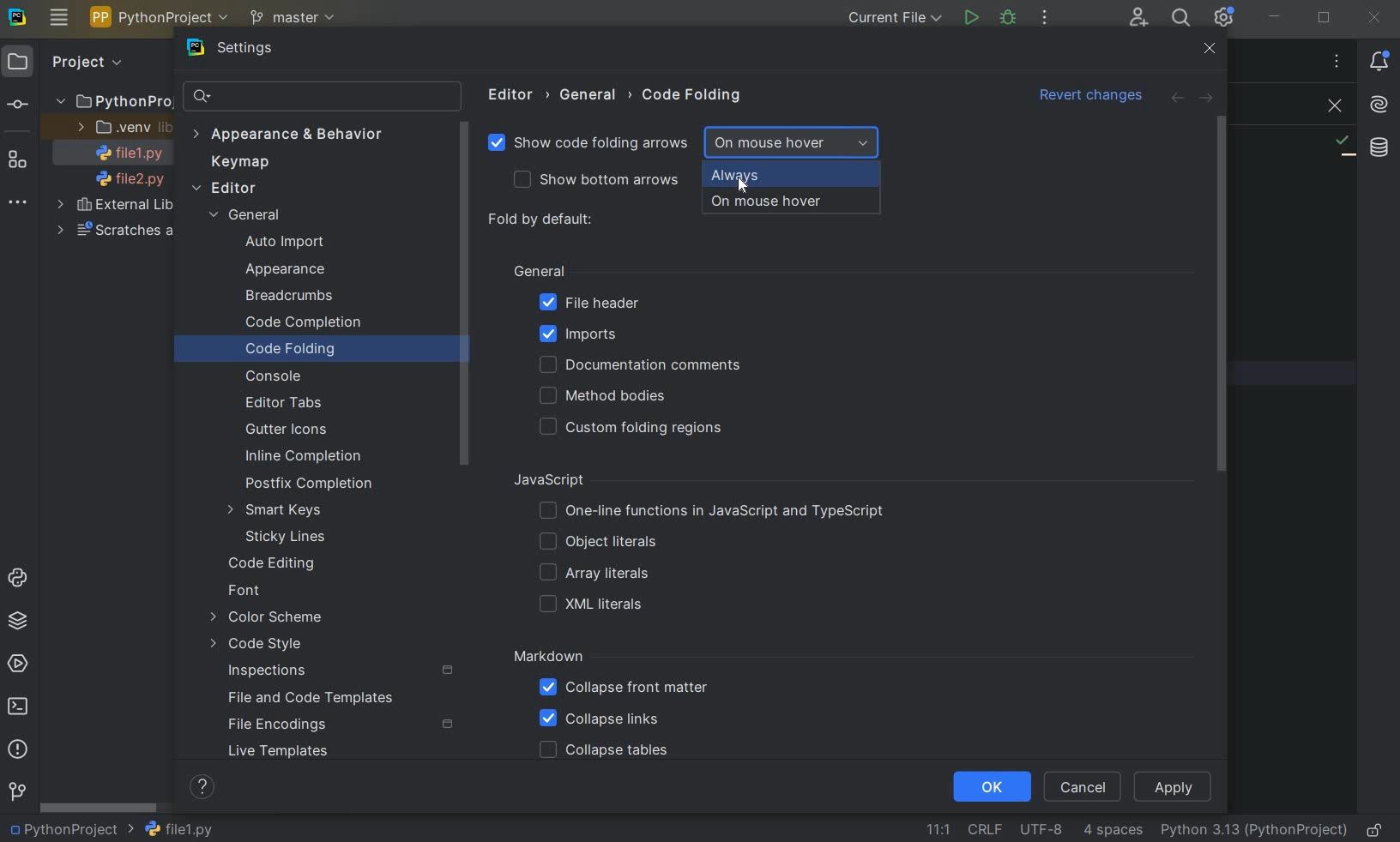 This screenshot has width=1400, height=842. Describe the element at coordinates (1331, 106) in the screenshot. I see `CLOSE` at that location.